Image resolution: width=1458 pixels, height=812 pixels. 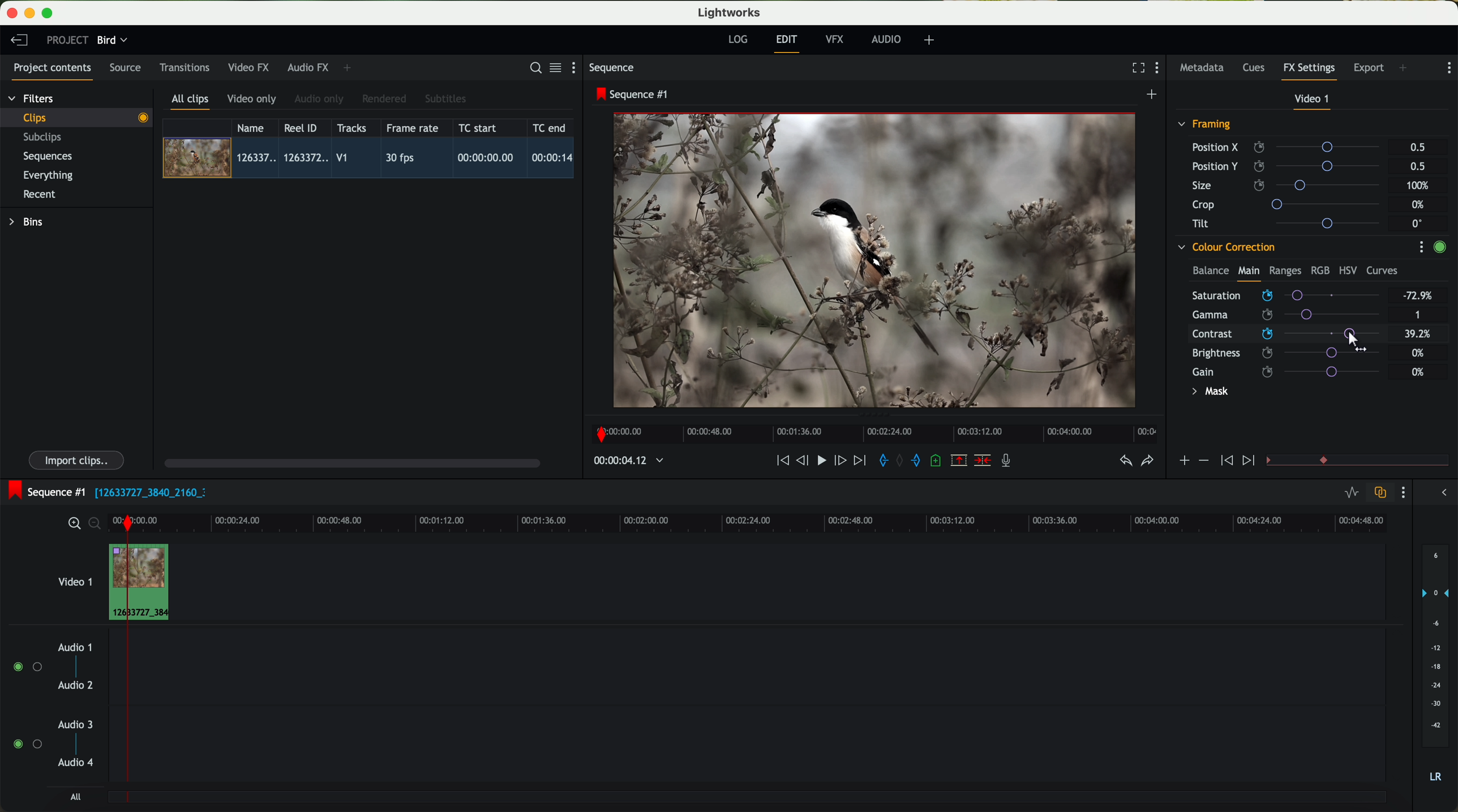 I want to click on record a voice-over, so click(x=1010, y=462).